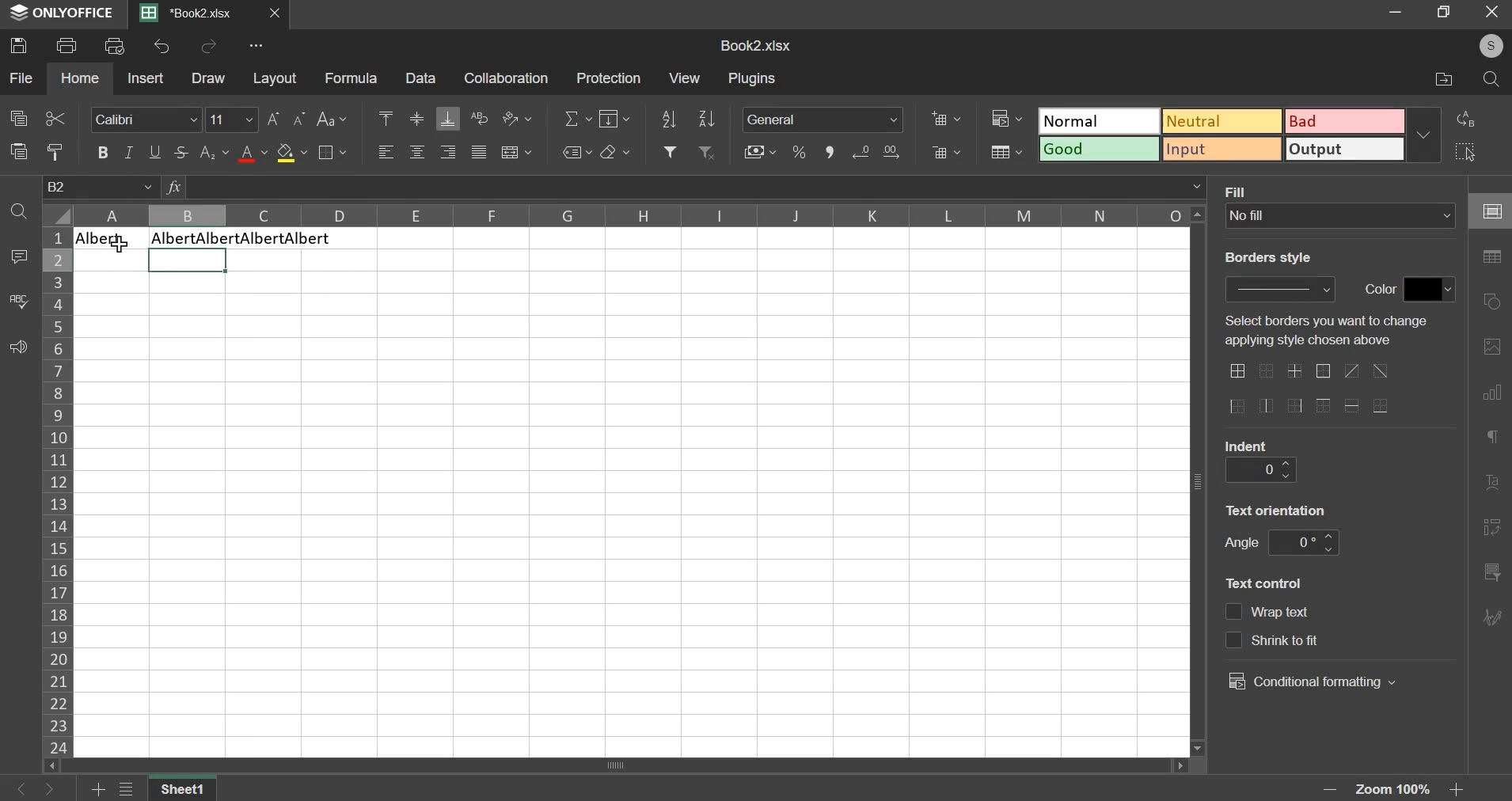 The width and height of the screenshot is (1512, 801). Describe the element at coordinates (184, 788) in the screenshot. I see `Sheet name` at that location.